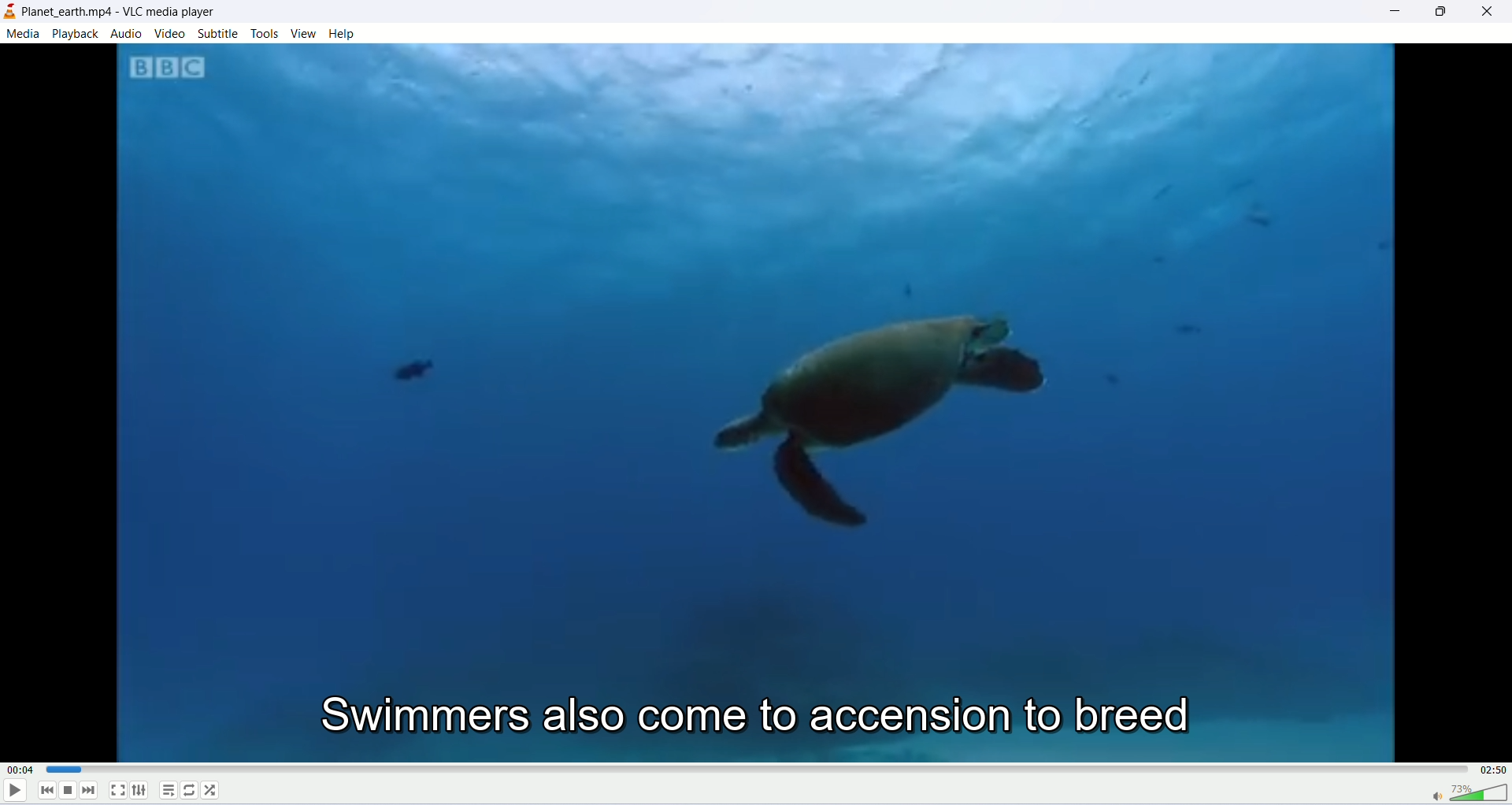 This screenshot has width=1512, height=805. Describe the element at coordinates (301, 33) in the screenshot. I see `view` at that location.